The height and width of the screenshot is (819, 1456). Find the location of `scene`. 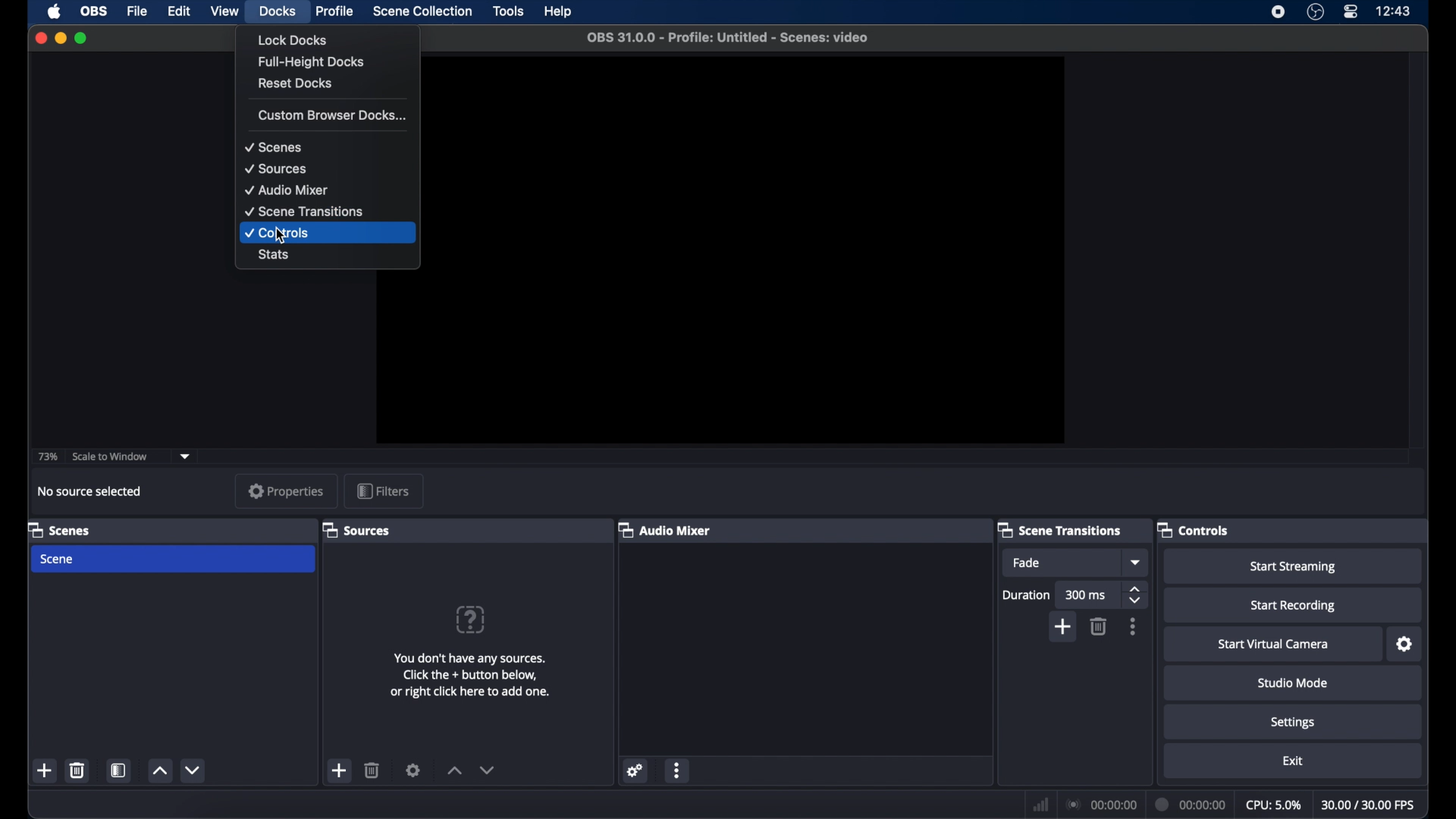

scene is located at coordinates (58, 560).